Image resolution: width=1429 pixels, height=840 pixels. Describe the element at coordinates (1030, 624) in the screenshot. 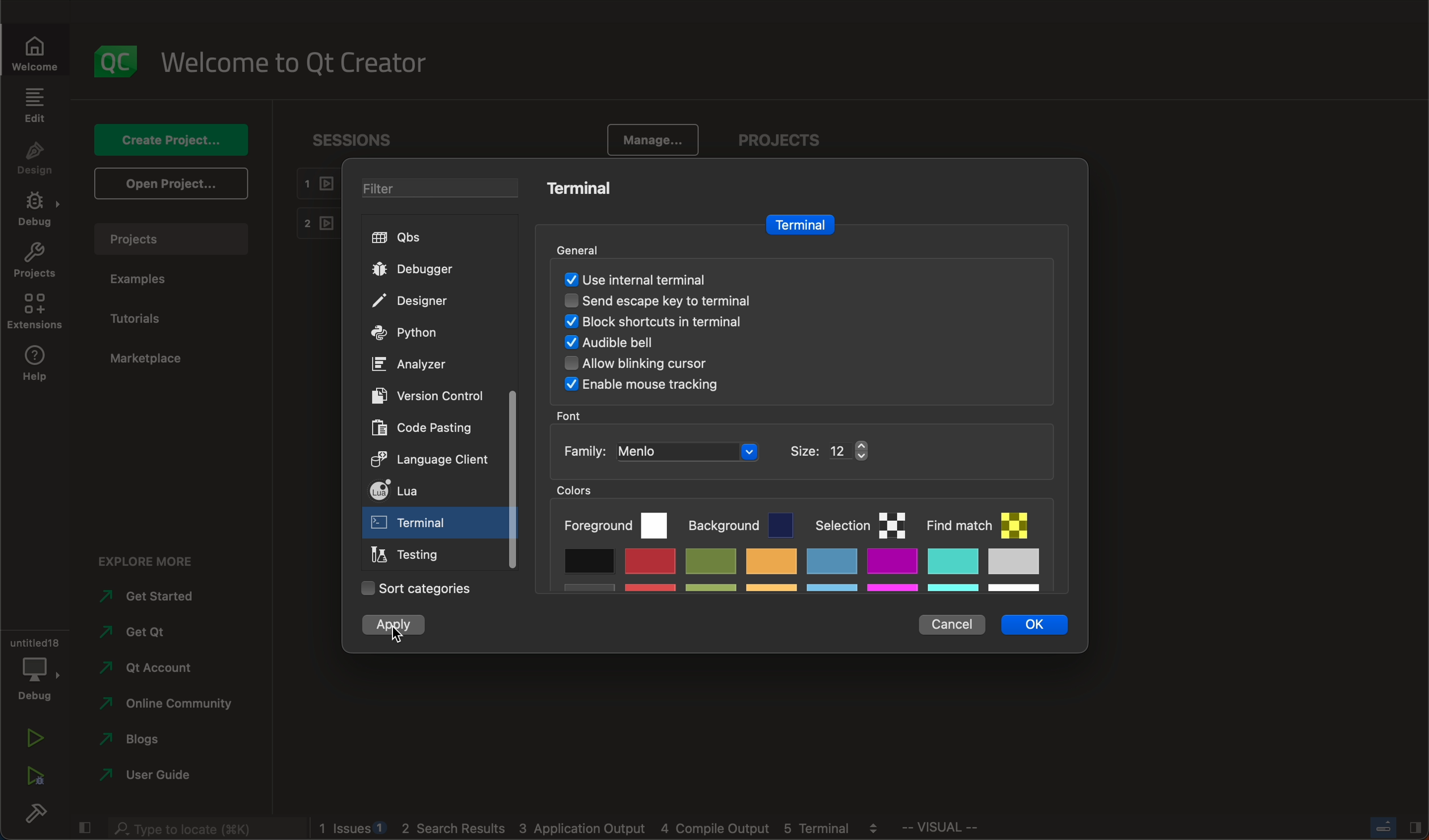

I see `ok` at that location.